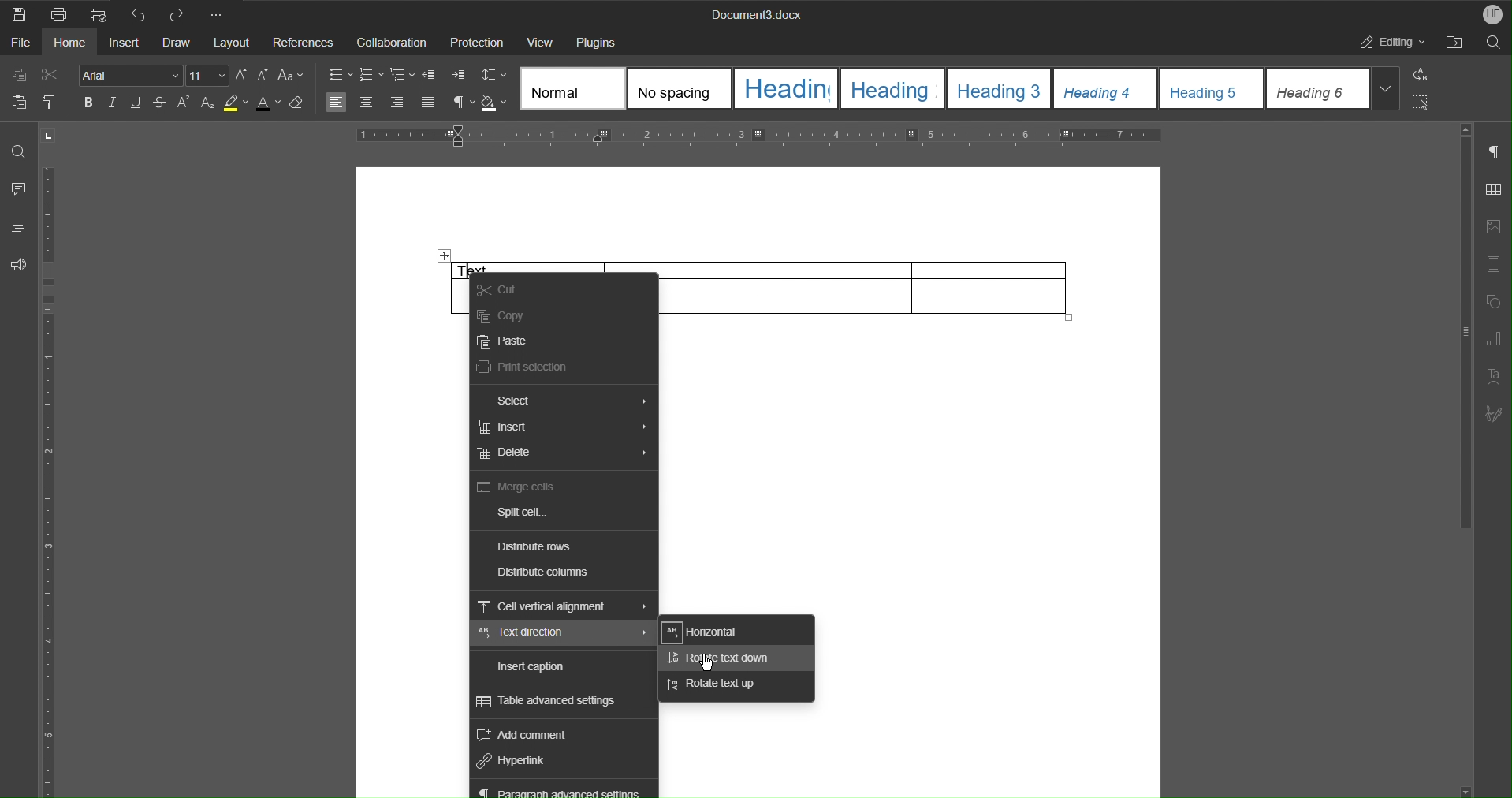 The width and height of the screenshot is (1512, 798). What do you see at coordinates (505, 453) in the screenshot?
I see `Delete` at bounding box center [505, 453].